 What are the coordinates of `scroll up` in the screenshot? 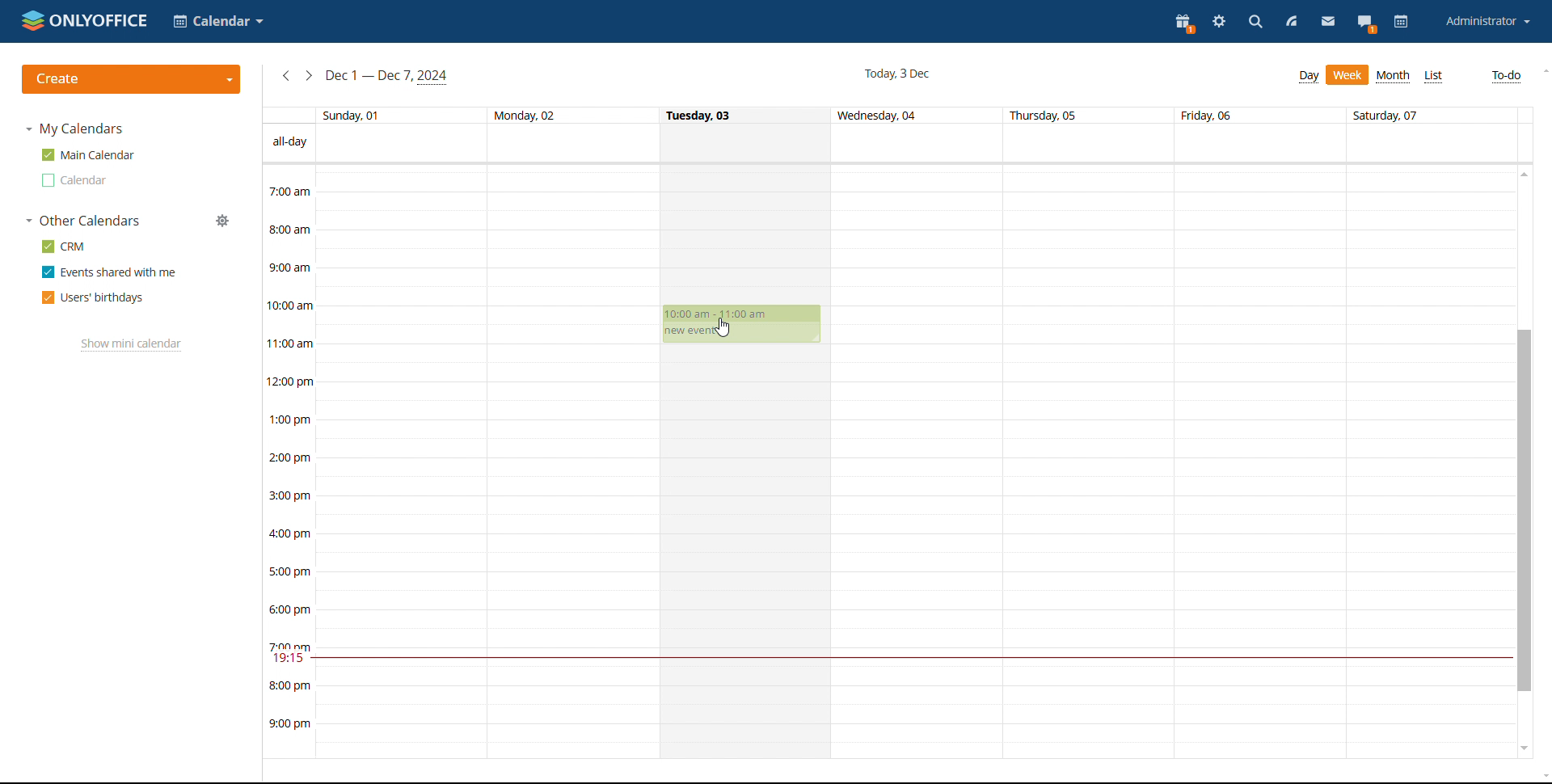 It's located at (1542, 70).